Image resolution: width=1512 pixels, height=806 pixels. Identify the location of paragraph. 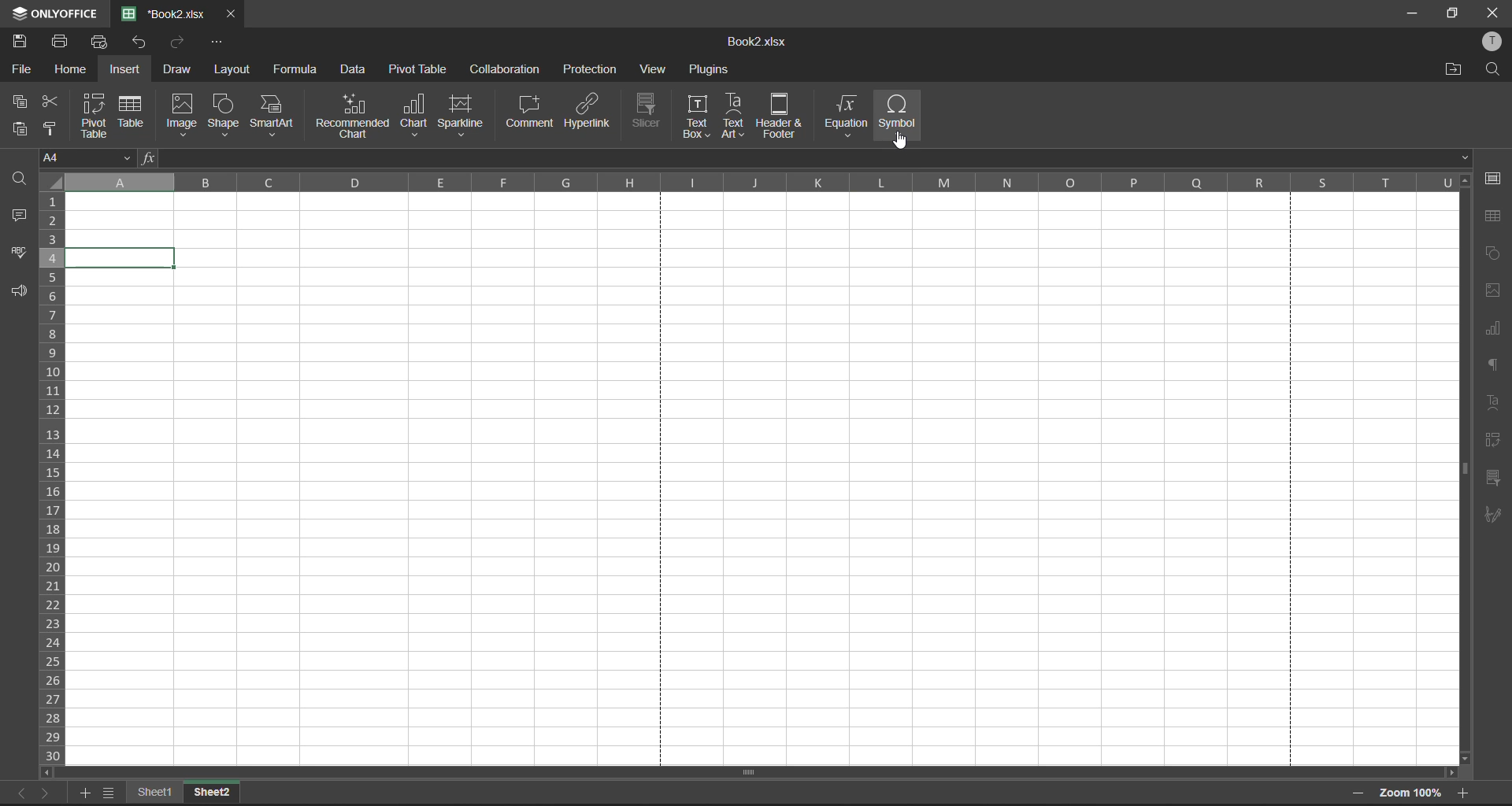
(1493, 364).